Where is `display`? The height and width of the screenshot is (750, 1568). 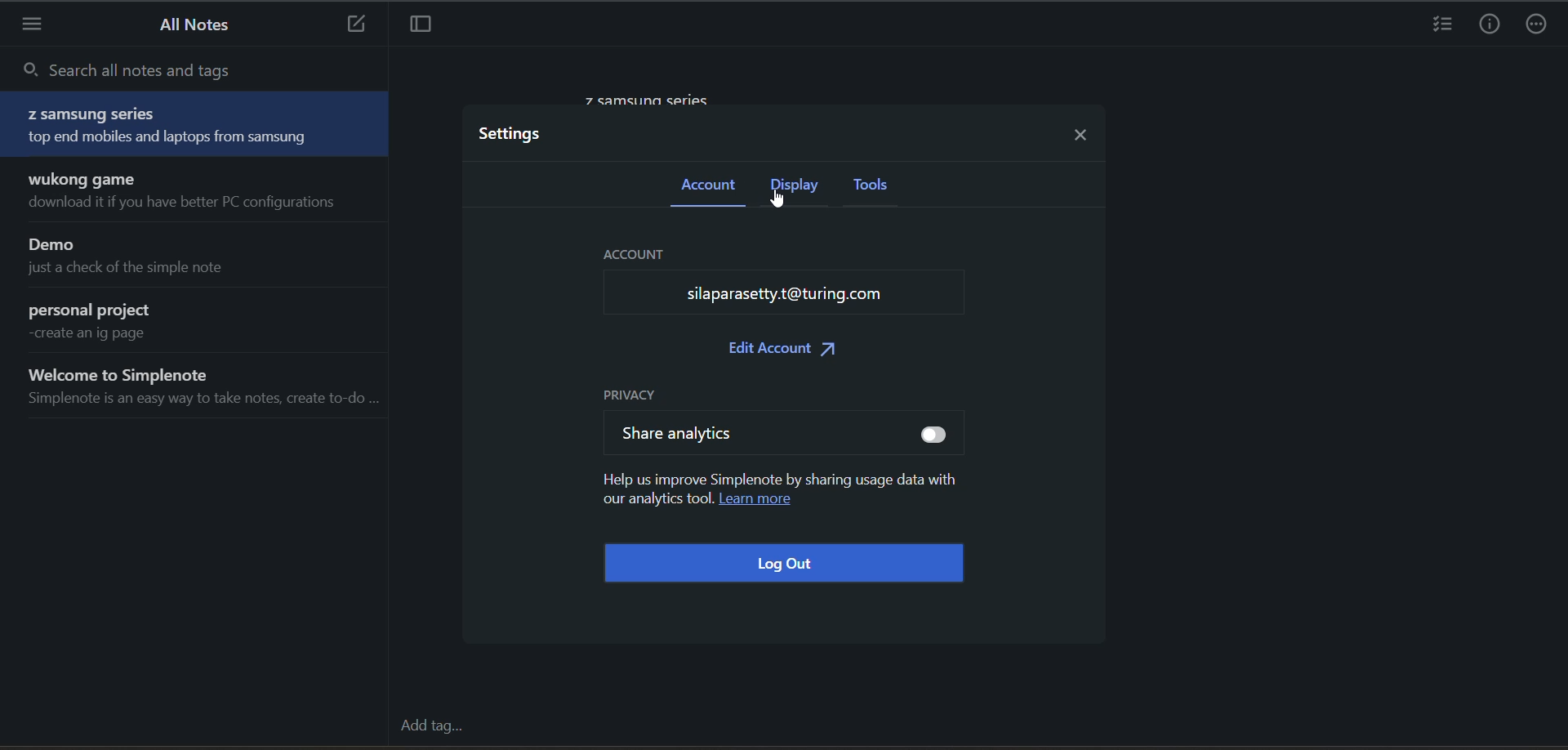
display is located at coordinates (800, 185).